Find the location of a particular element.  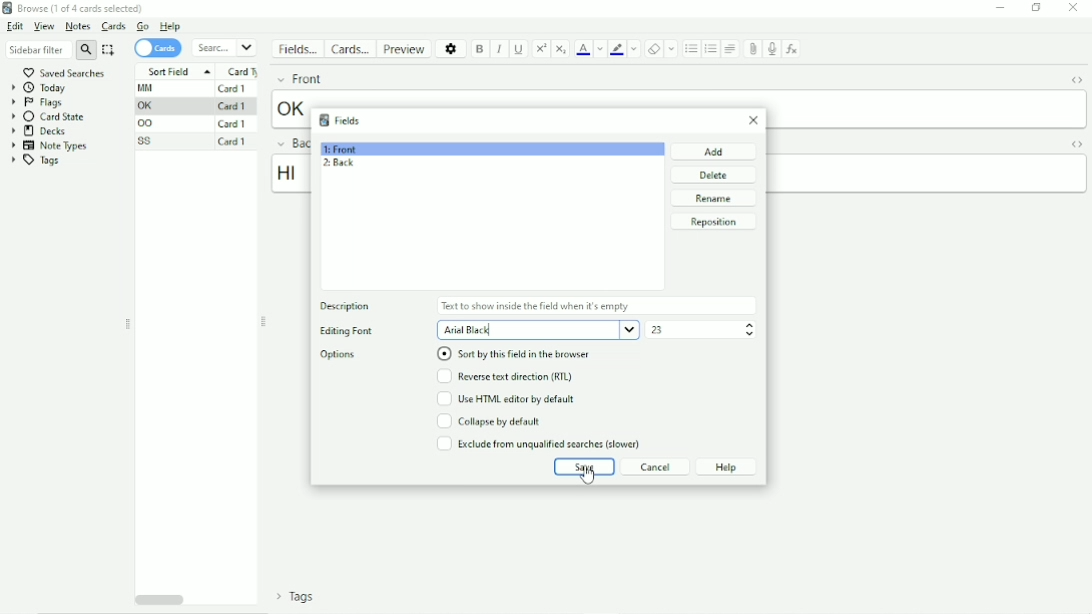

Text color is located at coordinates (584, 49).